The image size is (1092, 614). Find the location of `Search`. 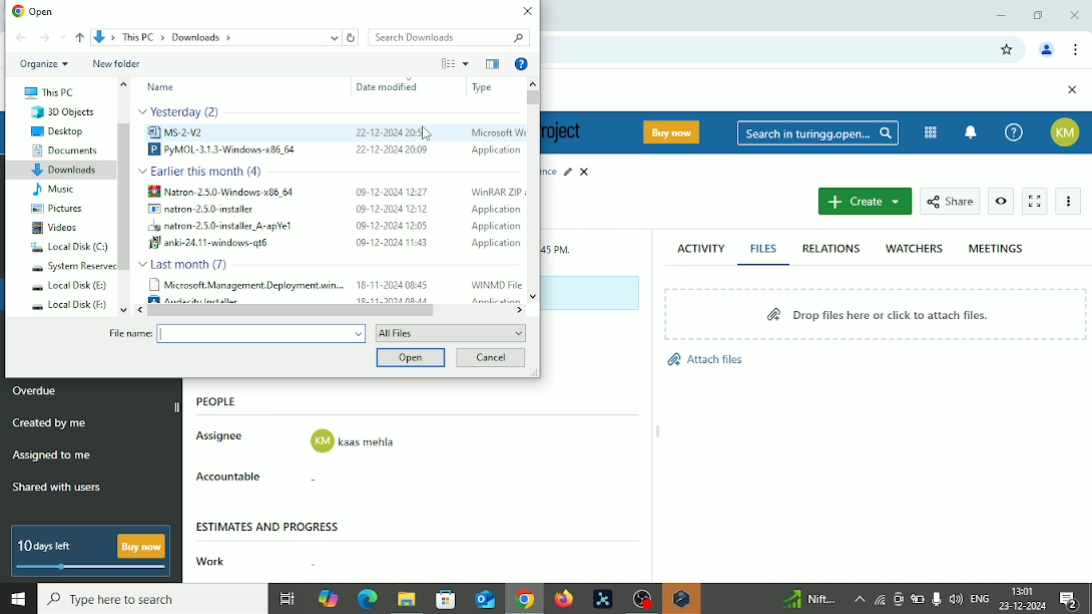

Search is located at coordinates (450, 37).